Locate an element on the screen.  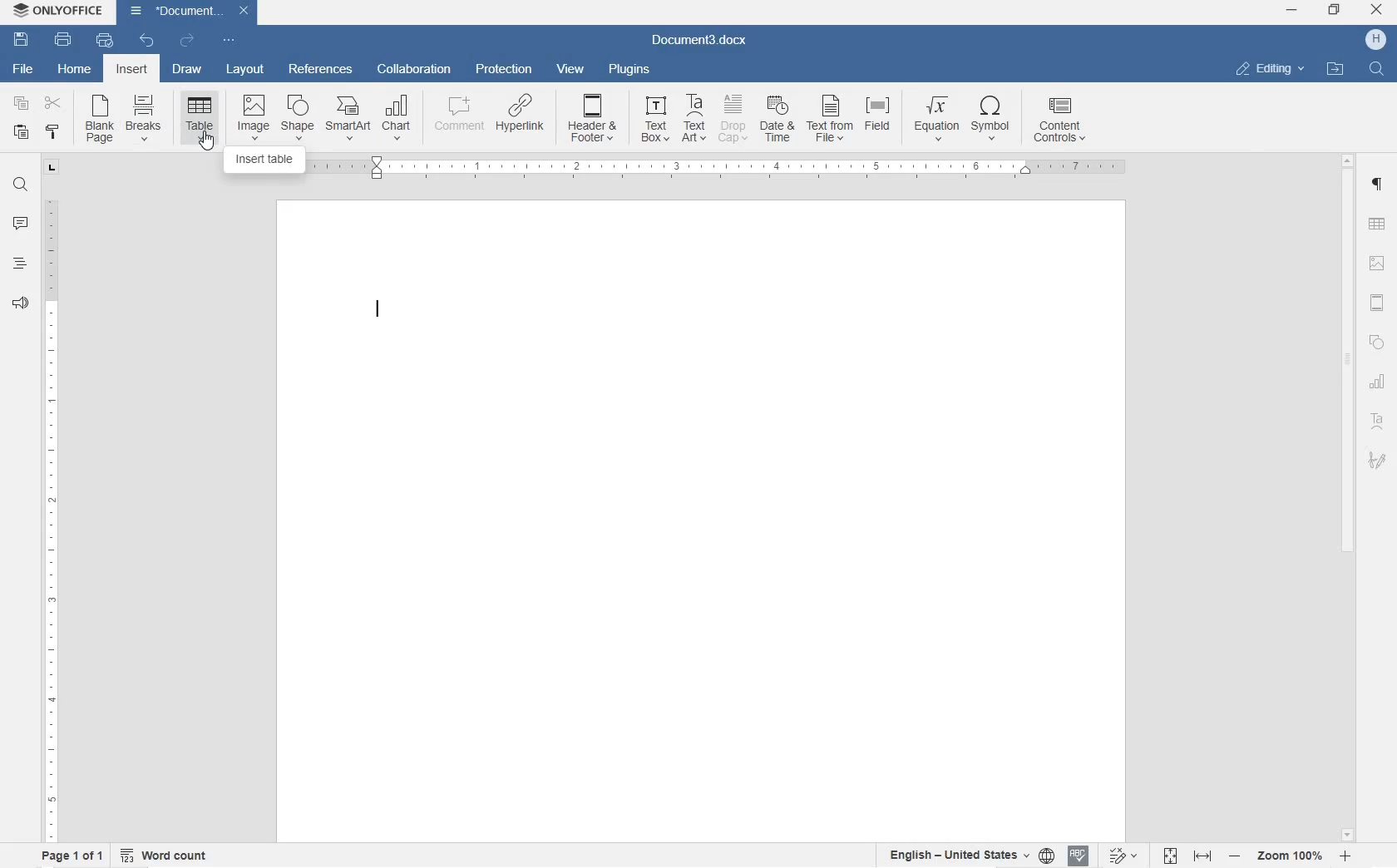
HEADINGS is located at coordinates (17, 267).